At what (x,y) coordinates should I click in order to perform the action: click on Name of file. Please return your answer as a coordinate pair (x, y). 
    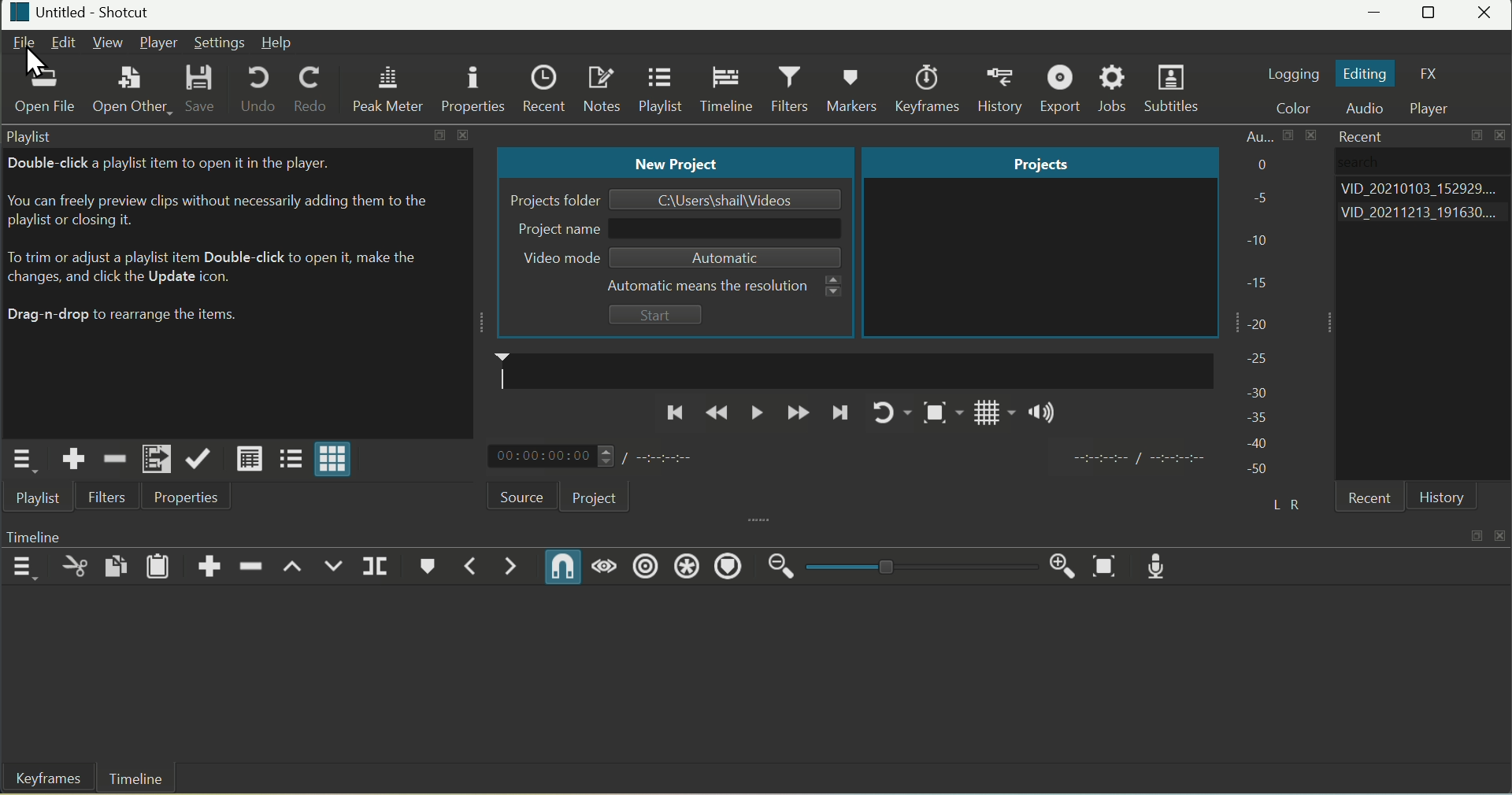
    Looking at the image, I should click on (727, 200).